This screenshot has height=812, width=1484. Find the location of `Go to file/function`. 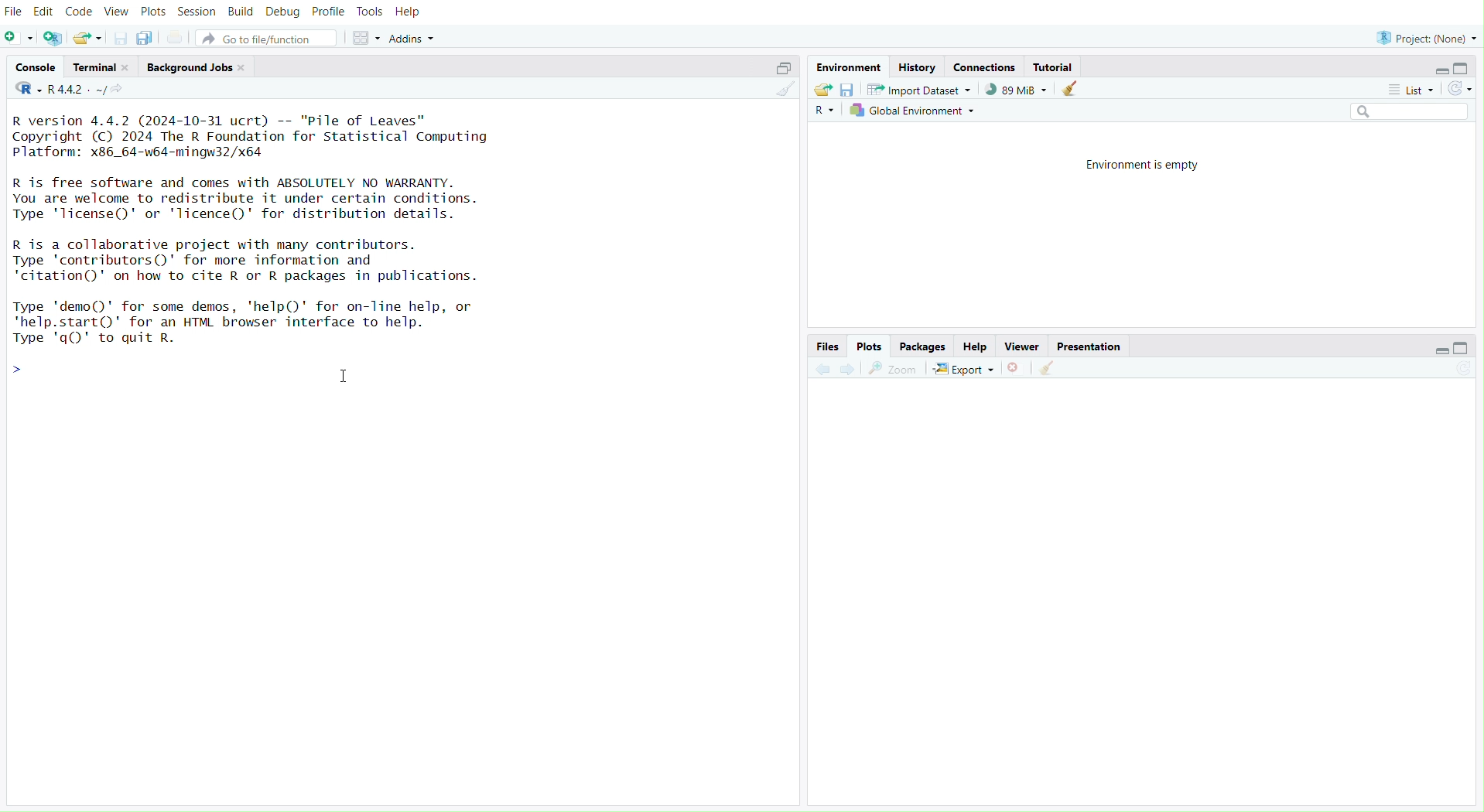

Go to file/function is located at coordinates (272, 36).